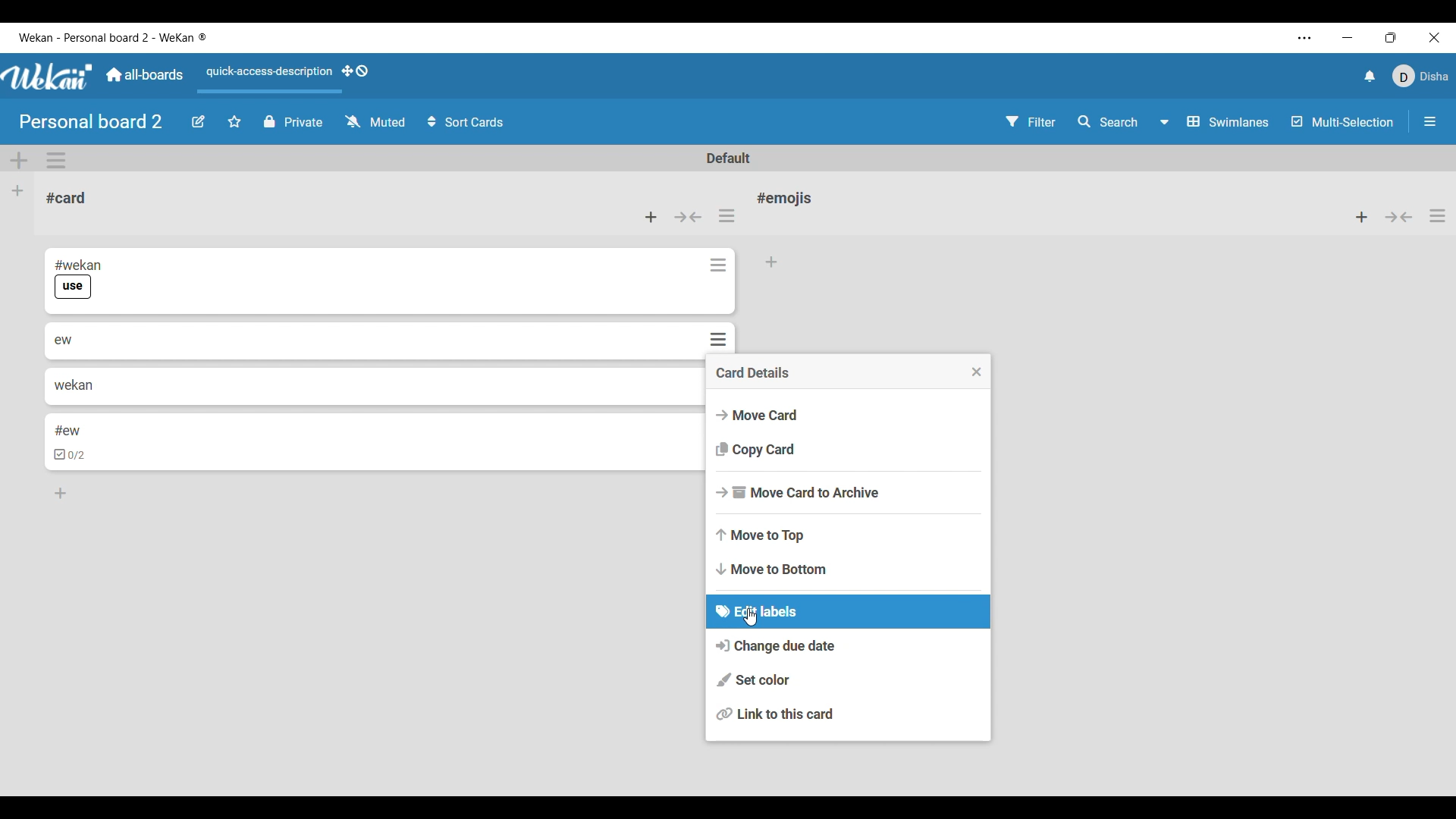 This screenshot has width=1456, height=819. What do you see at coordinates (1437, 216) in the screenshot?
I see `List actions` at bounding box center [1437, 216].